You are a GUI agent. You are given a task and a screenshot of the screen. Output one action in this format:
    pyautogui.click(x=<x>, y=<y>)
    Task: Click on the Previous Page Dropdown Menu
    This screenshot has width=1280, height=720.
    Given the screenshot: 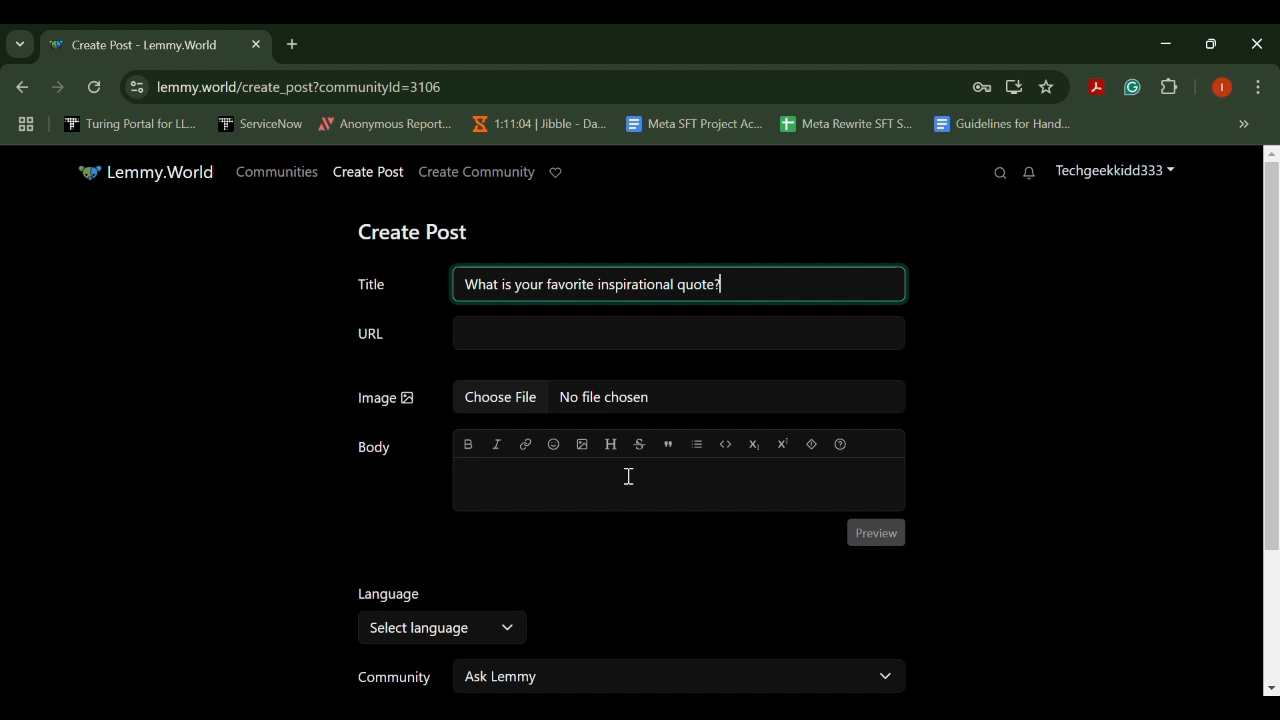 What is the action you would take?
    pyautogui.click(x=20, y=45)
    